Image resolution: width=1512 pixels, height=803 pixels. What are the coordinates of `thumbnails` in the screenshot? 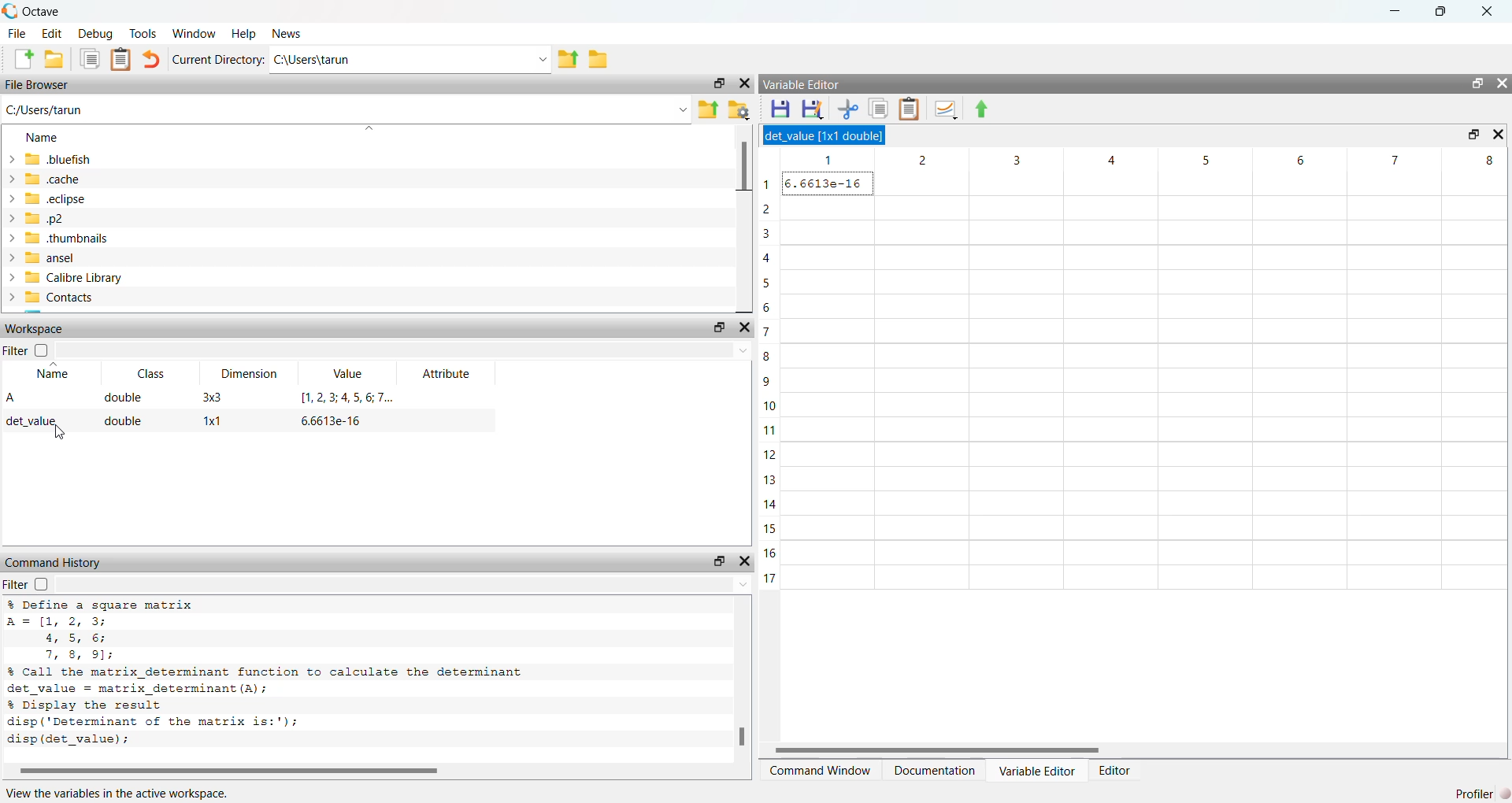 It's located at (61, 238).